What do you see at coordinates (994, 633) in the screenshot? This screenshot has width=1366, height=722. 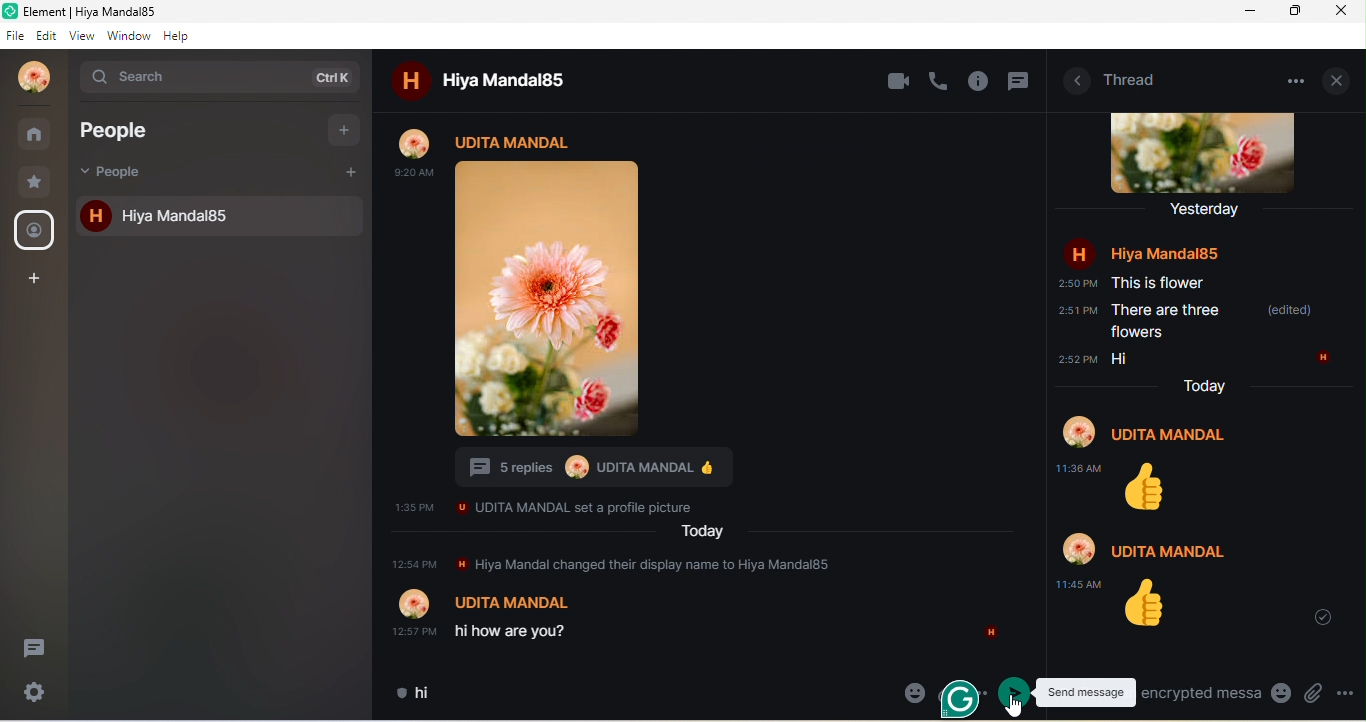 I see `H` at bounding box center [994, 633].